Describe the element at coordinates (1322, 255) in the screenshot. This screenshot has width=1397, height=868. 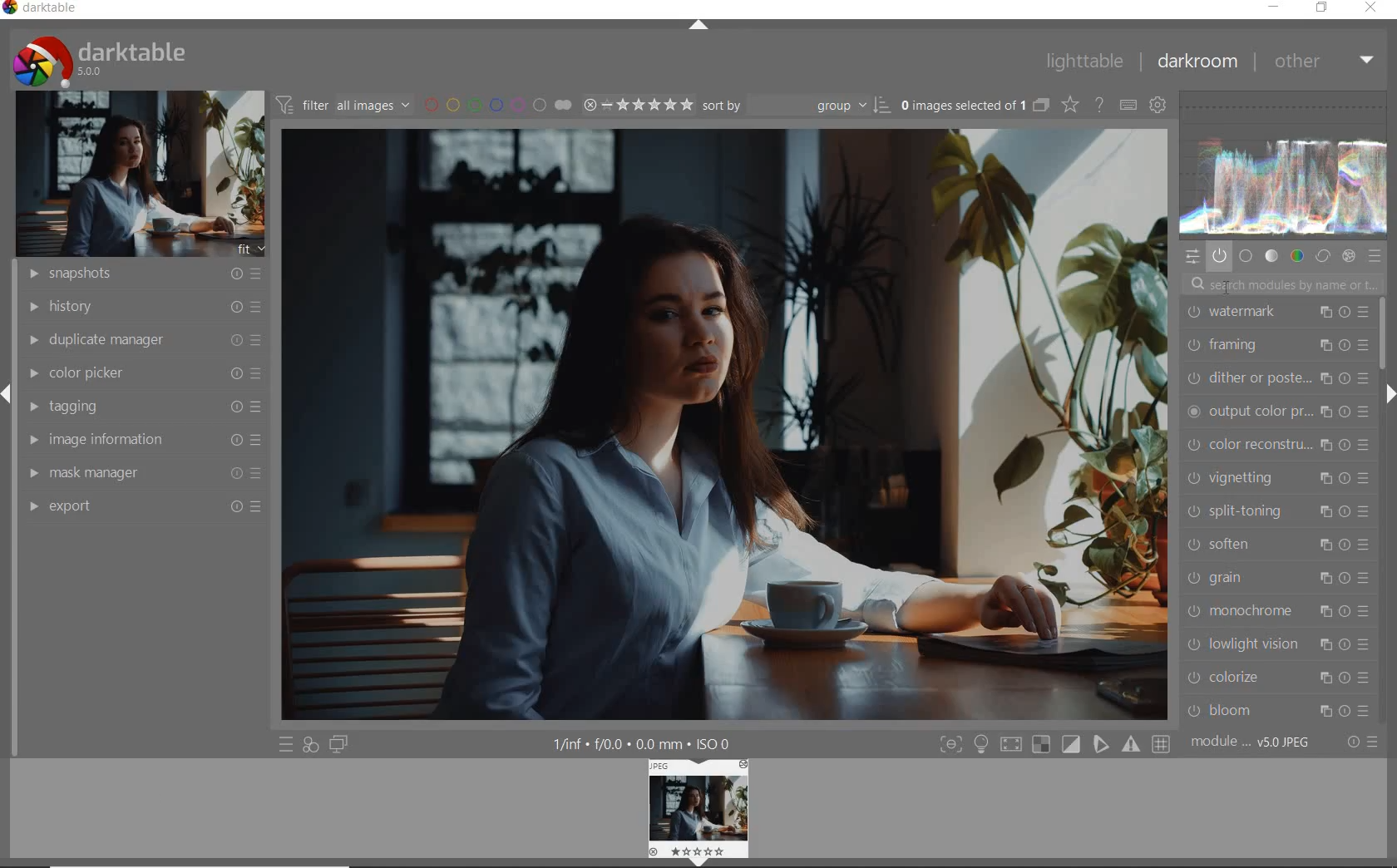
I see `correct` at that location.